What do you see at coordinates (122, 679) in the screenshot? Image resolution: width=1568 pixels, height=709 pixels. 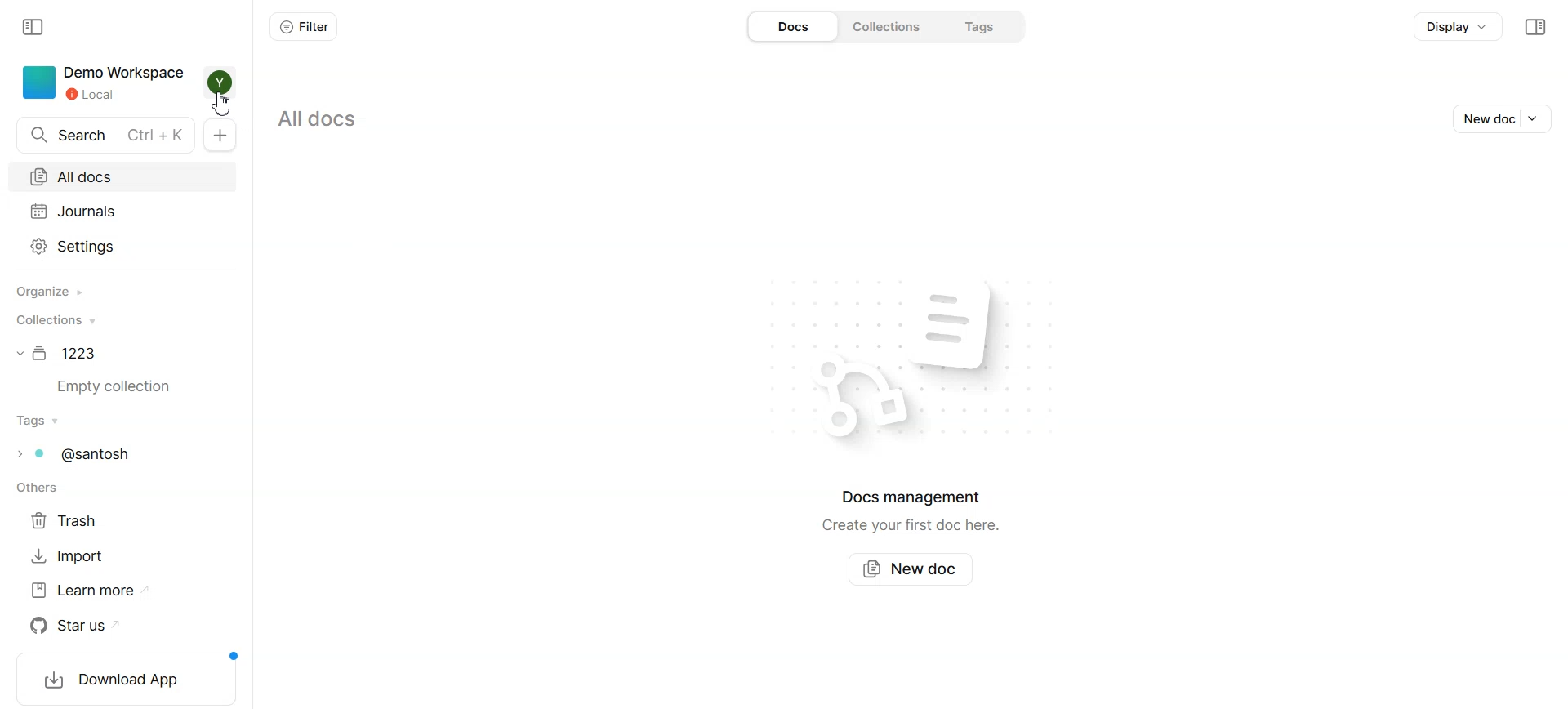 I see `Download App` at bounding box center [122, 679].